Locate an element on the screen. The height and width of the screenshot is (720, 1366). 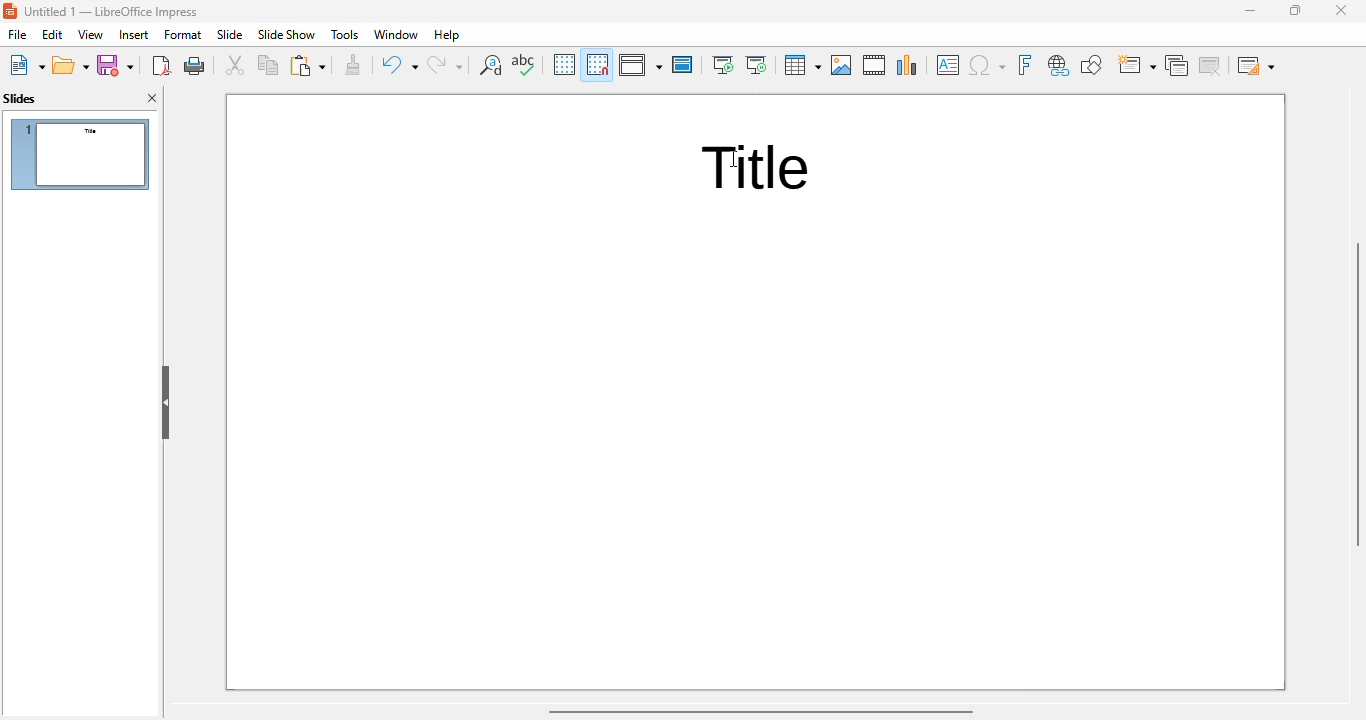
title is located at coordinates (112, 12).